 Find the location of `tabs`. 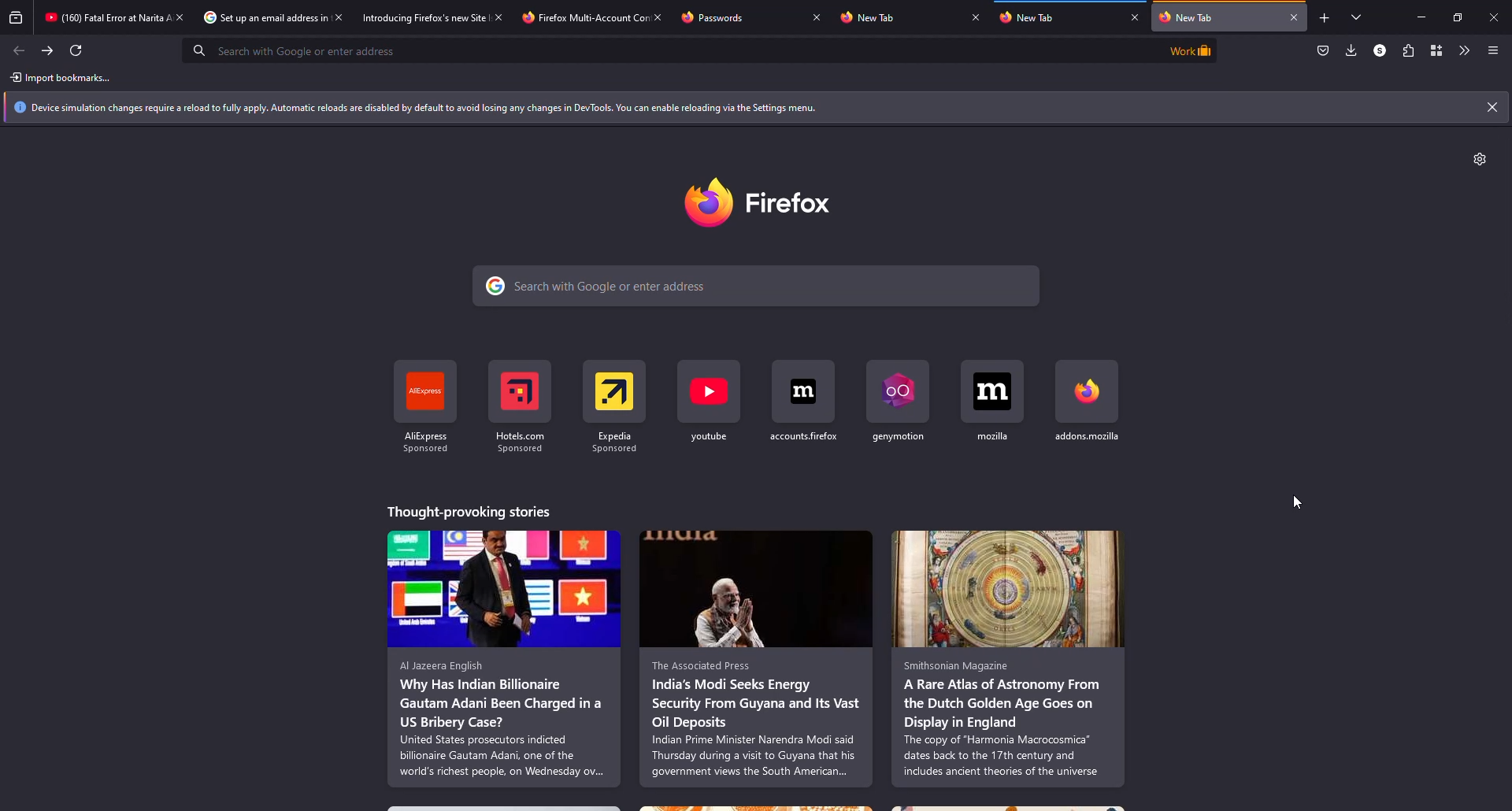

tabs is located at coordinates (1357, 19).